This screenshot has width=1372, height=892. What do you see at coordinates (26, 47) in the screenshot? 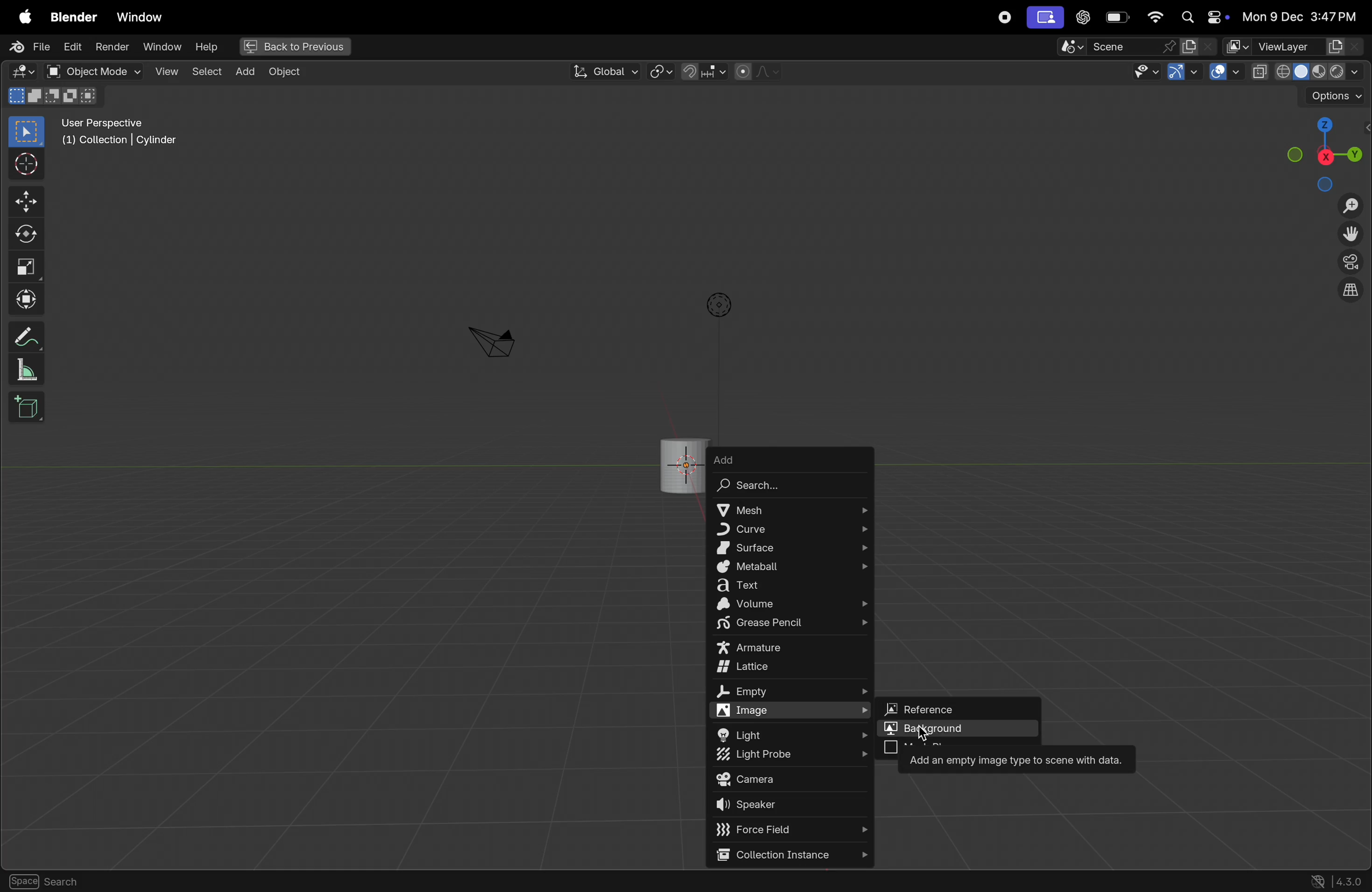
I see `File` at bounding box center [26, 47].